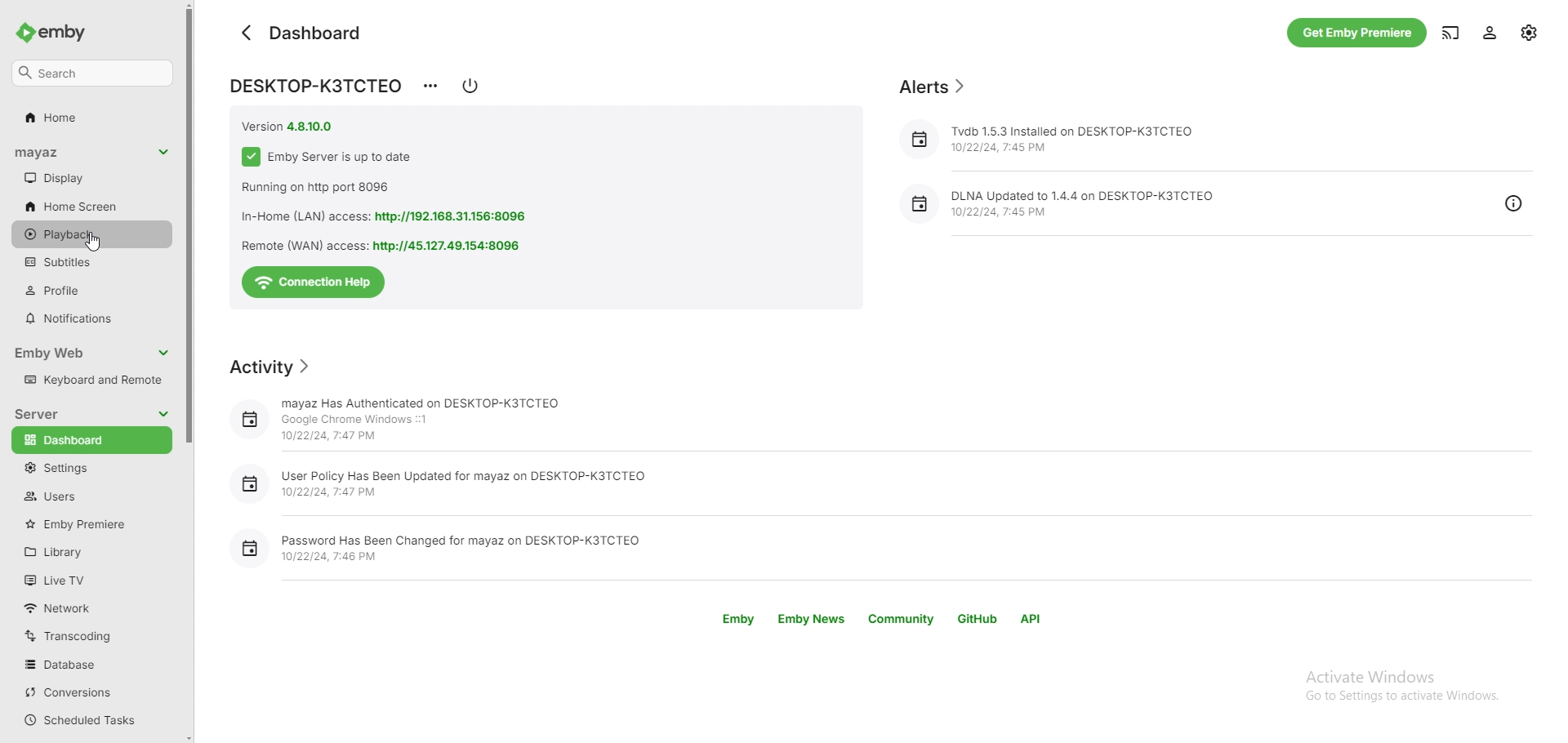  Describe the element at coordinates (89, 524) in the screenshot. I see `emby premiere` at that location.